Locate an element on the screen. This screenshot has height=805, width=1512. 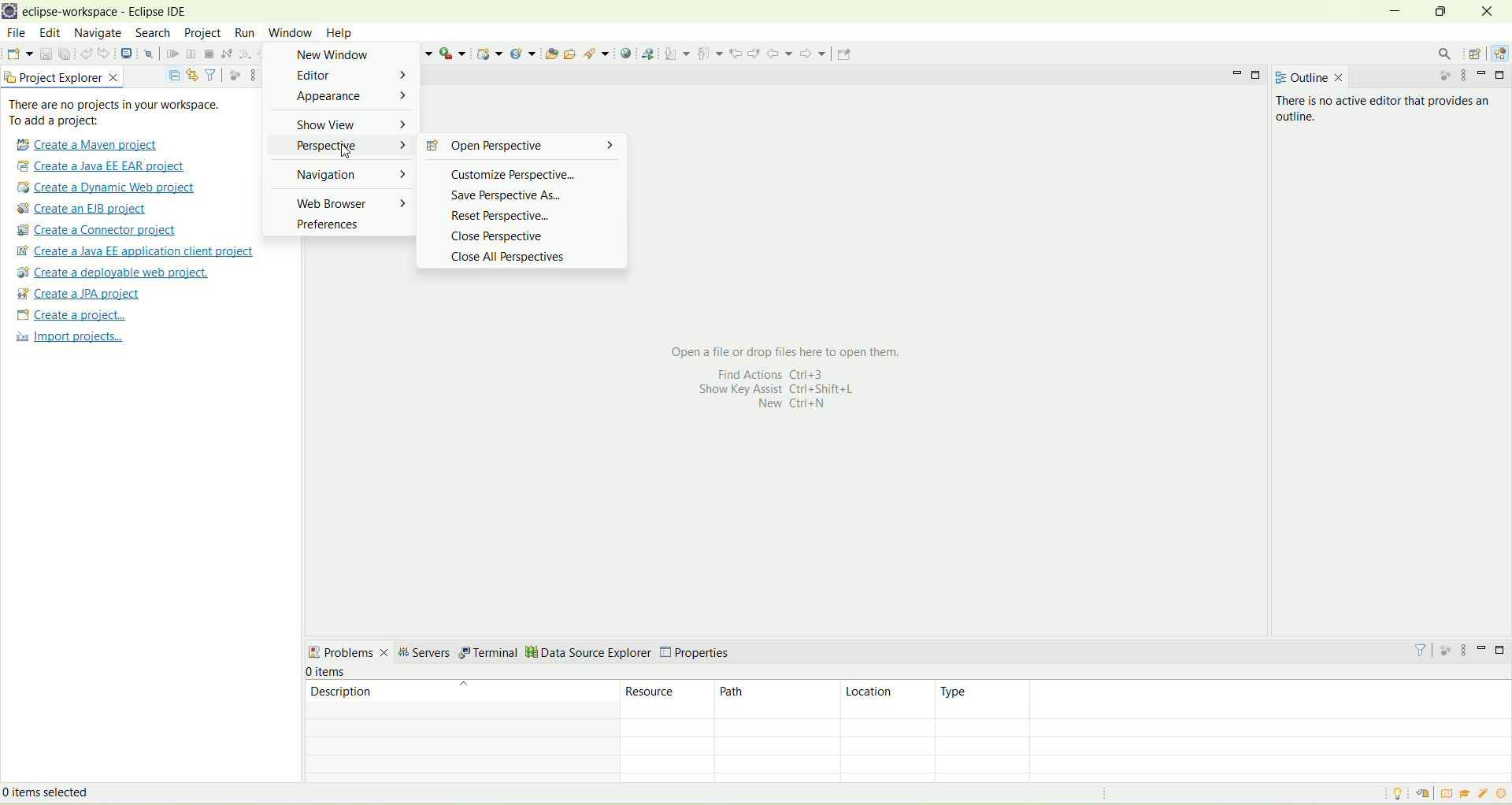
maximize is located at coordinates (1438, 9).